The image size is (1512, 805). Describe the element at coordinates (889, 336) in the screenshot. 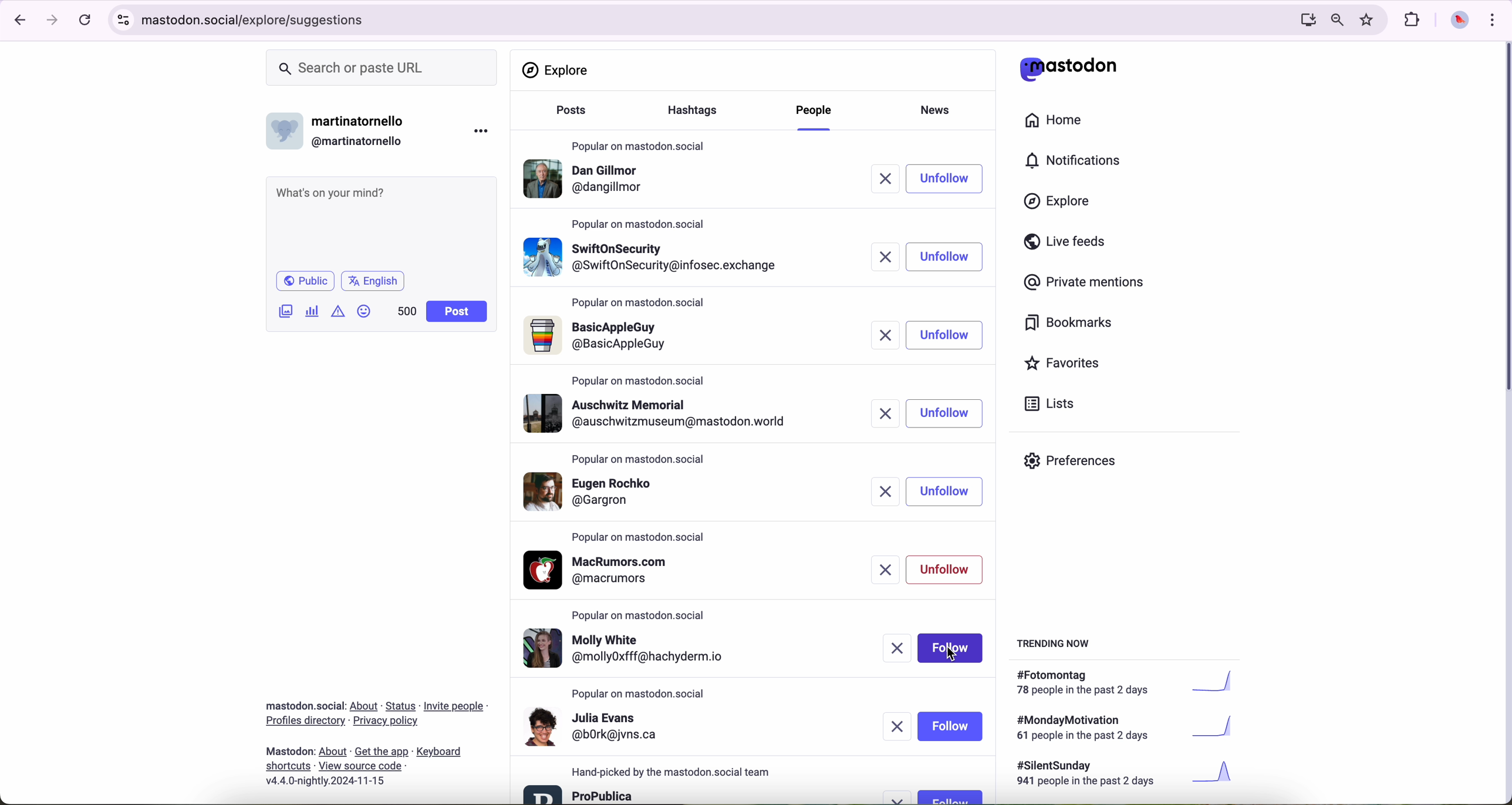

I see `remove` at that location.